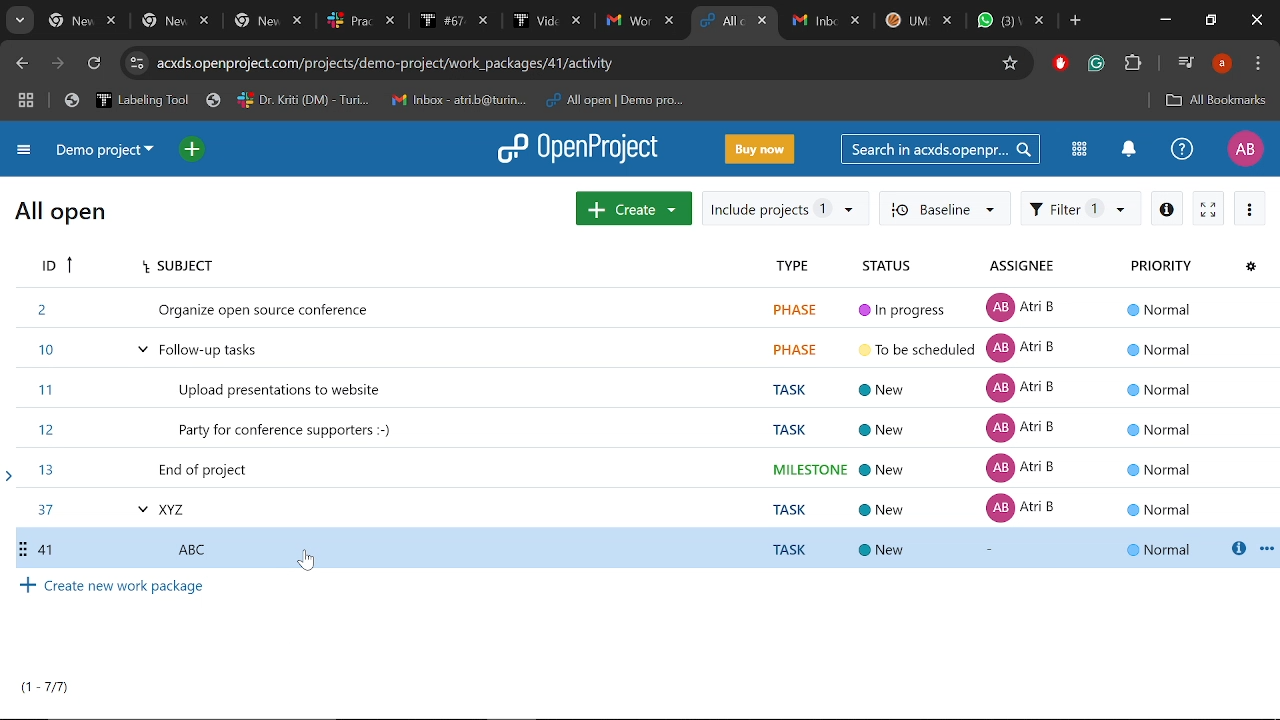 This screenshot has width=1280, height=720. Describe the element at coordinates (304, 567) in the screenshot. I see `cursor` at that location.